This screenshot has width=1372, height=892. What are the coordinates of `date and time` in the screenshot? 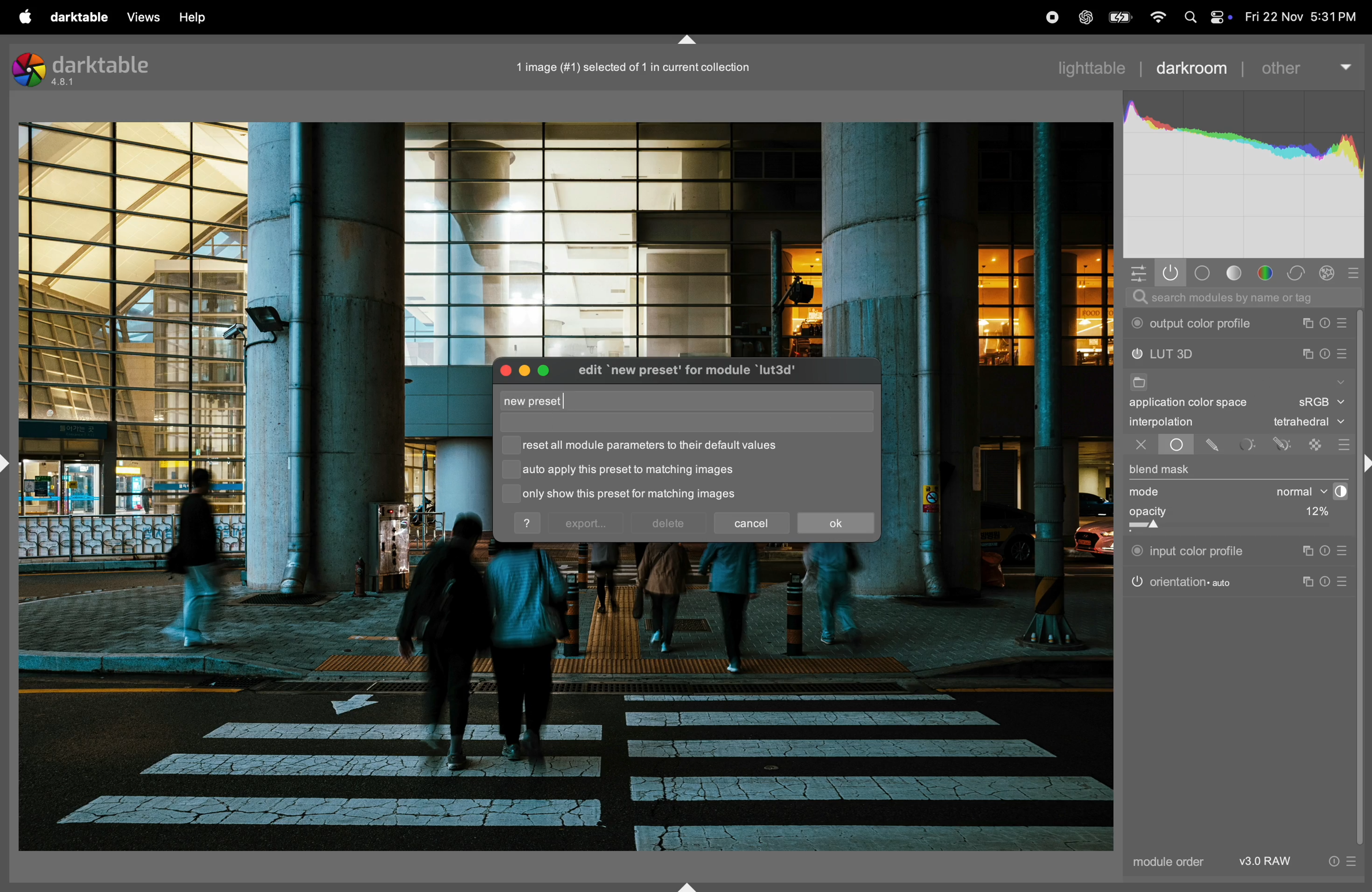 It's located at (1302, 17).